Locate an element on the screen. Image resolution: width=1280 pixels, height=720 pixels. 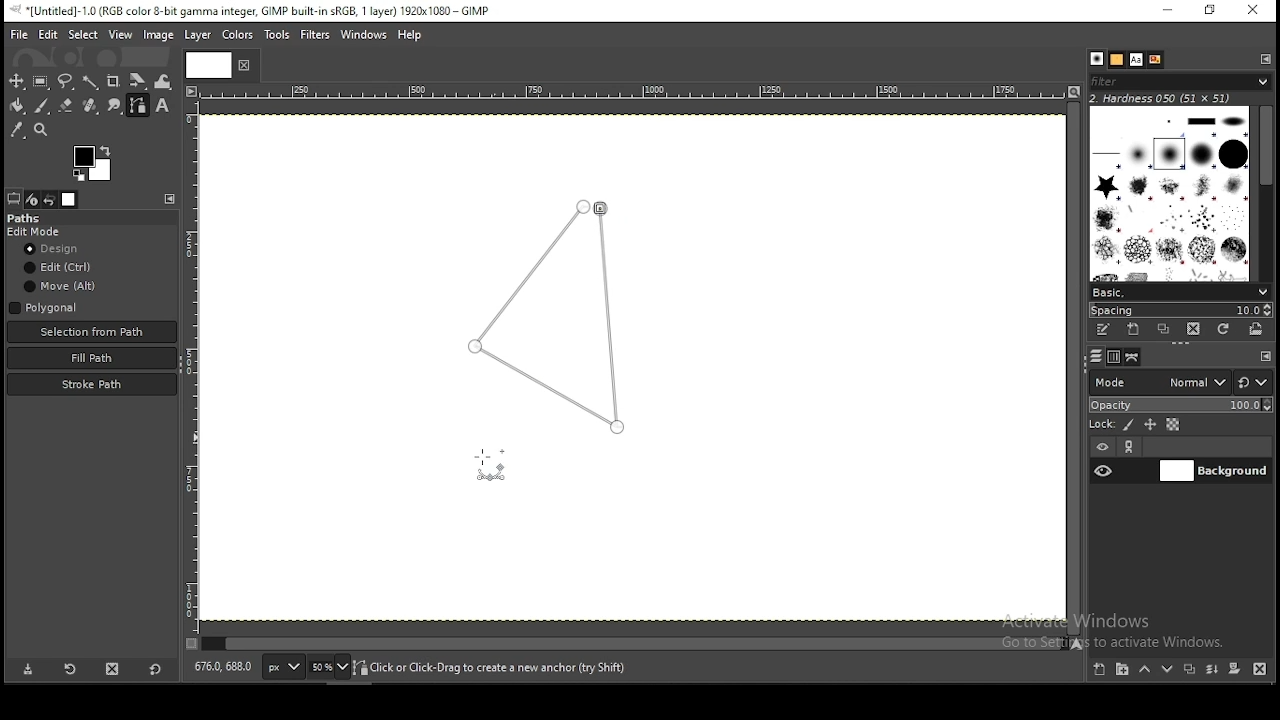
warp transform is located at coordinates (164, 81).